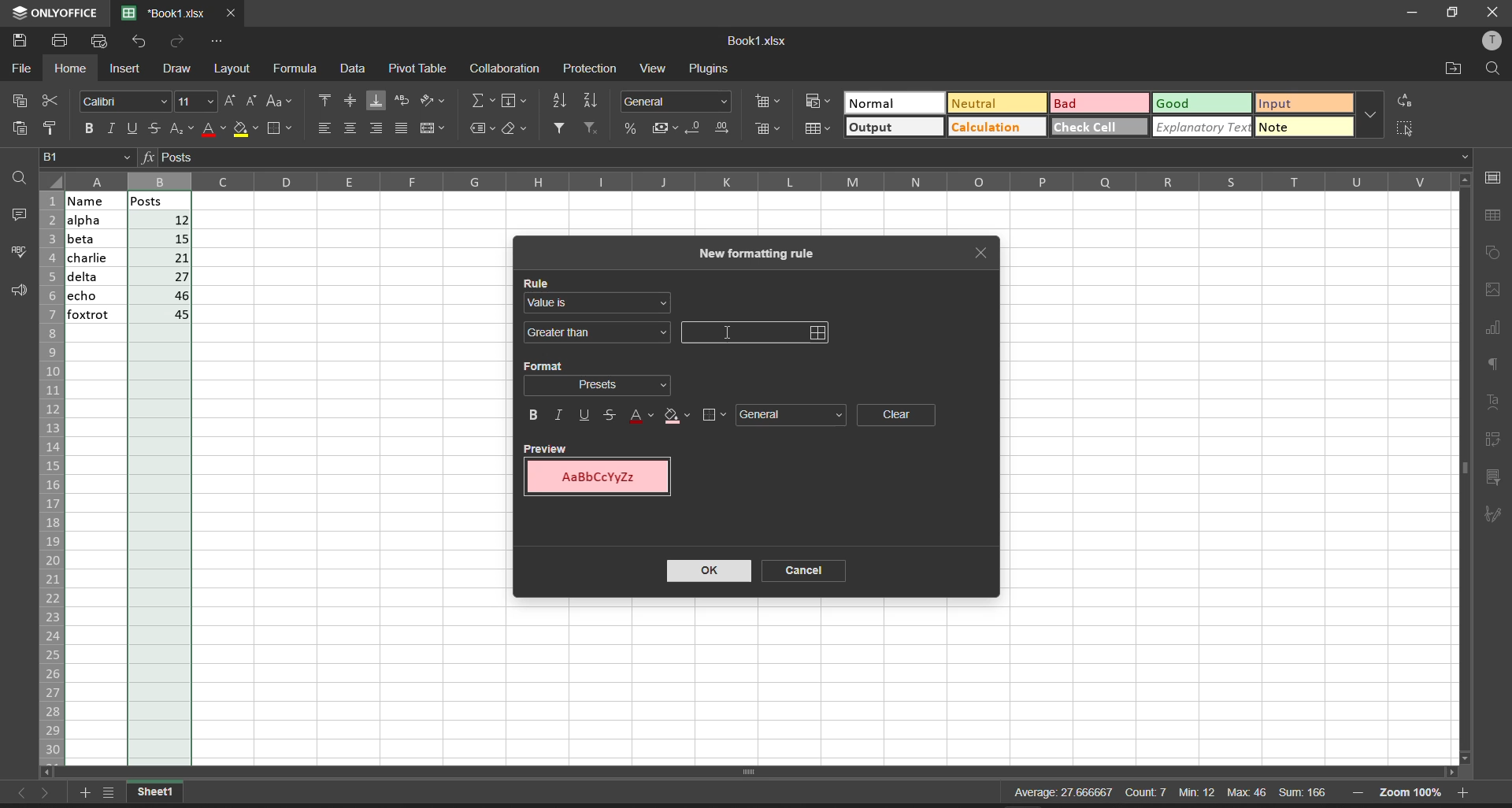  Describe the element at coordinates (372, 101) in the screenshot. I see `align bottom` at that location.